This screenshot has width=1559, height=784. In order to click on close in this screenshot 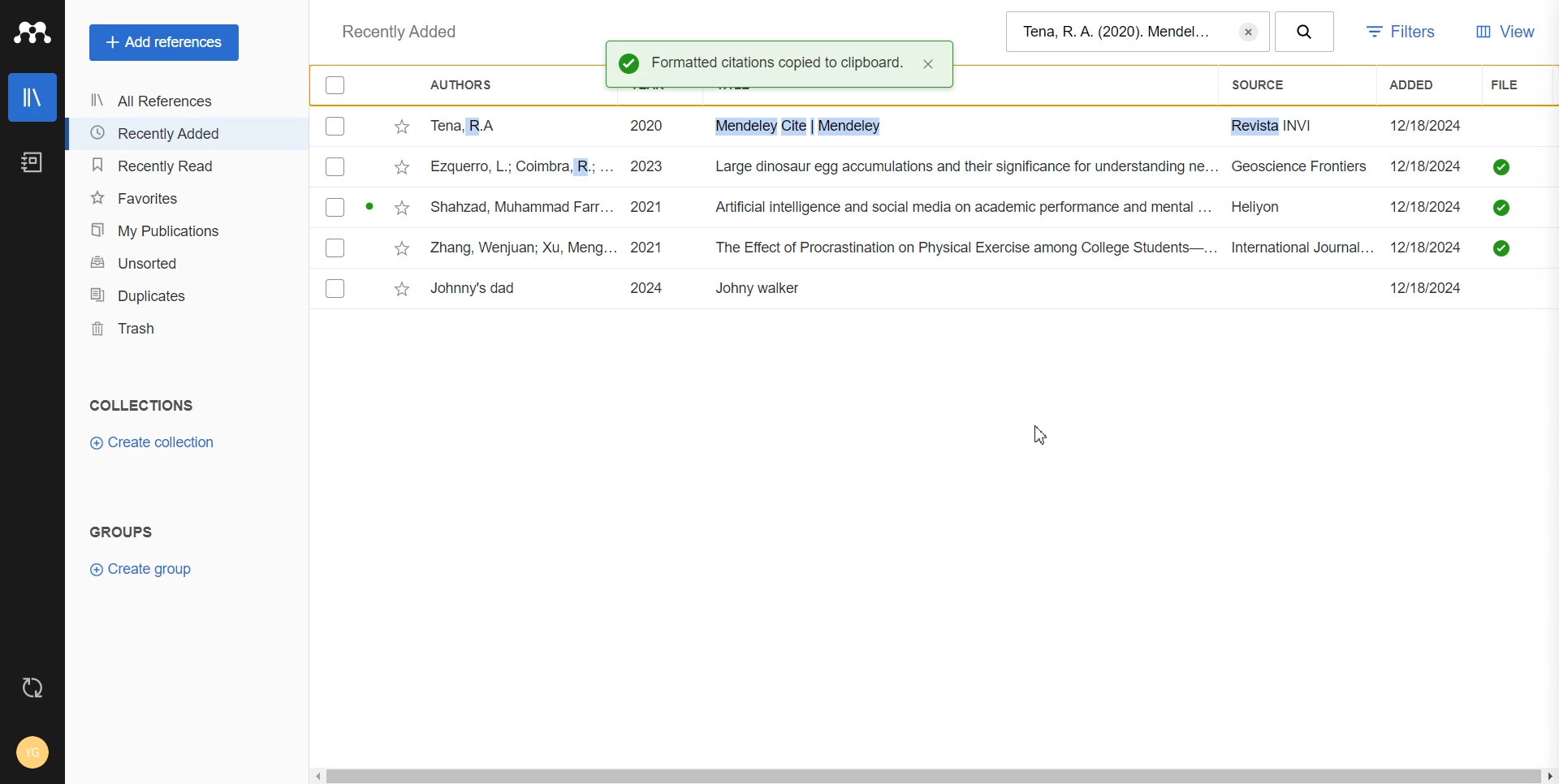, I will do `click(930, 65)`.